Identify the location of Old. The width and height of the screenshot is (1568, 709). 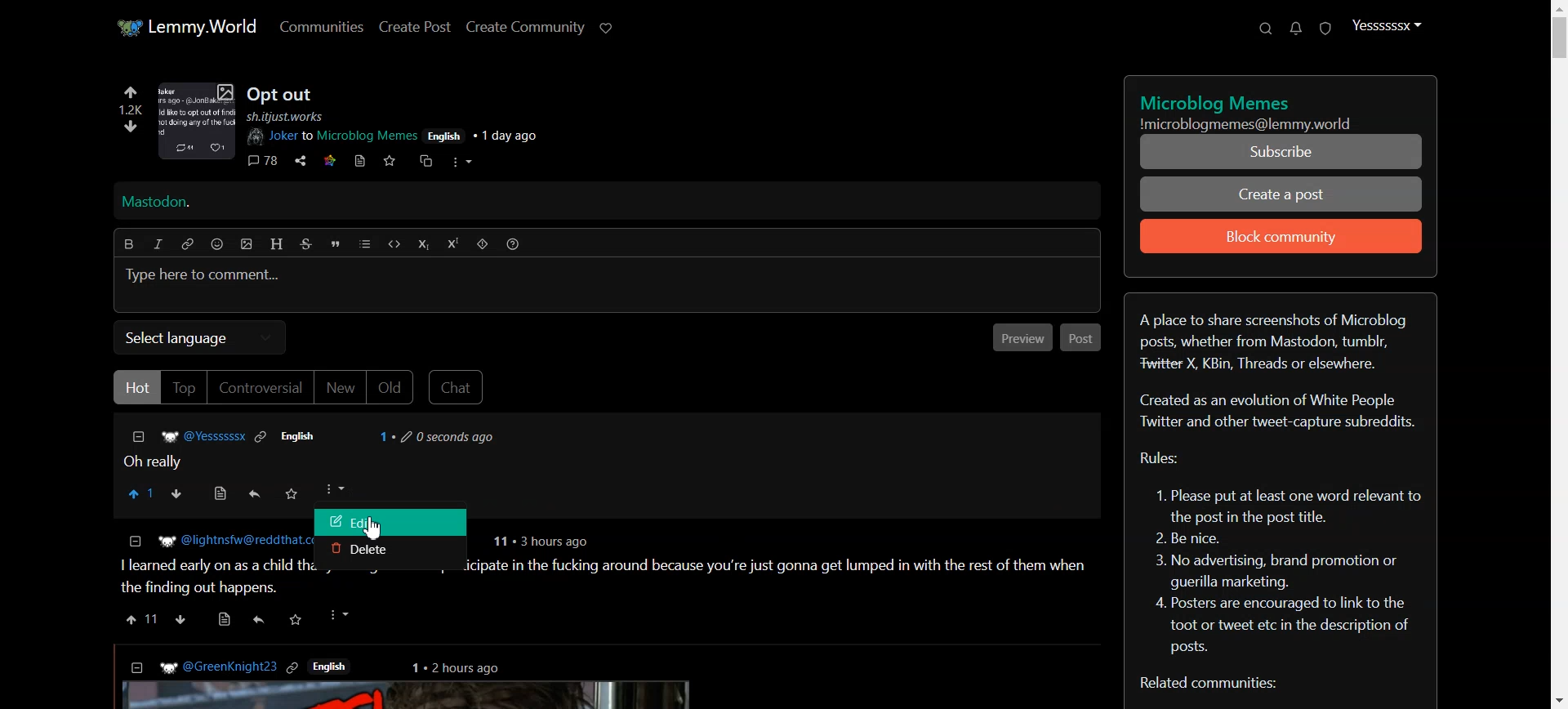
(391, 387).